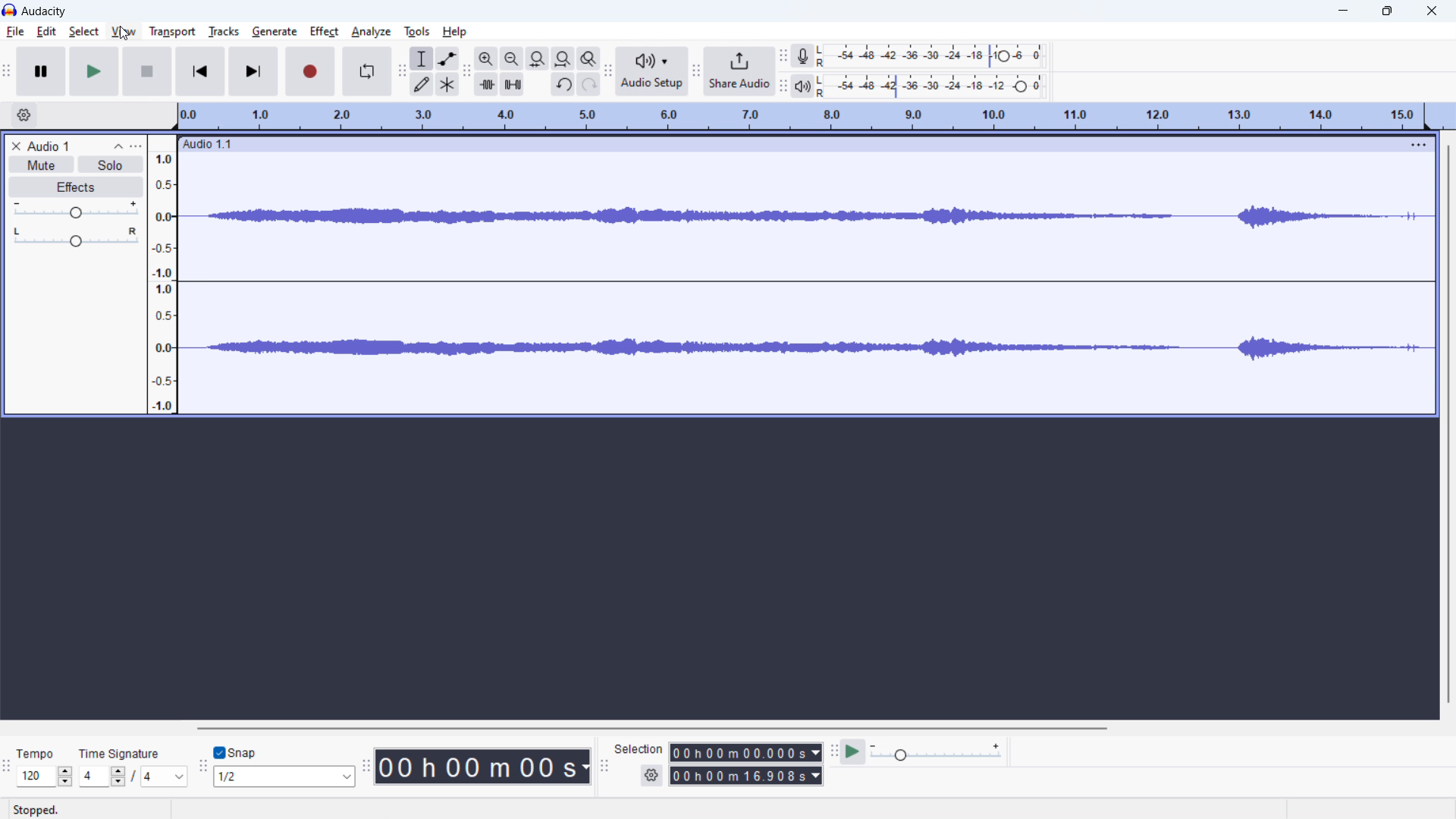 This screenshot has height=819, width=1456. What do you see at coordinates (805, 218) in the screenshot?
I see `waveform` at bounding box center [805, 218].